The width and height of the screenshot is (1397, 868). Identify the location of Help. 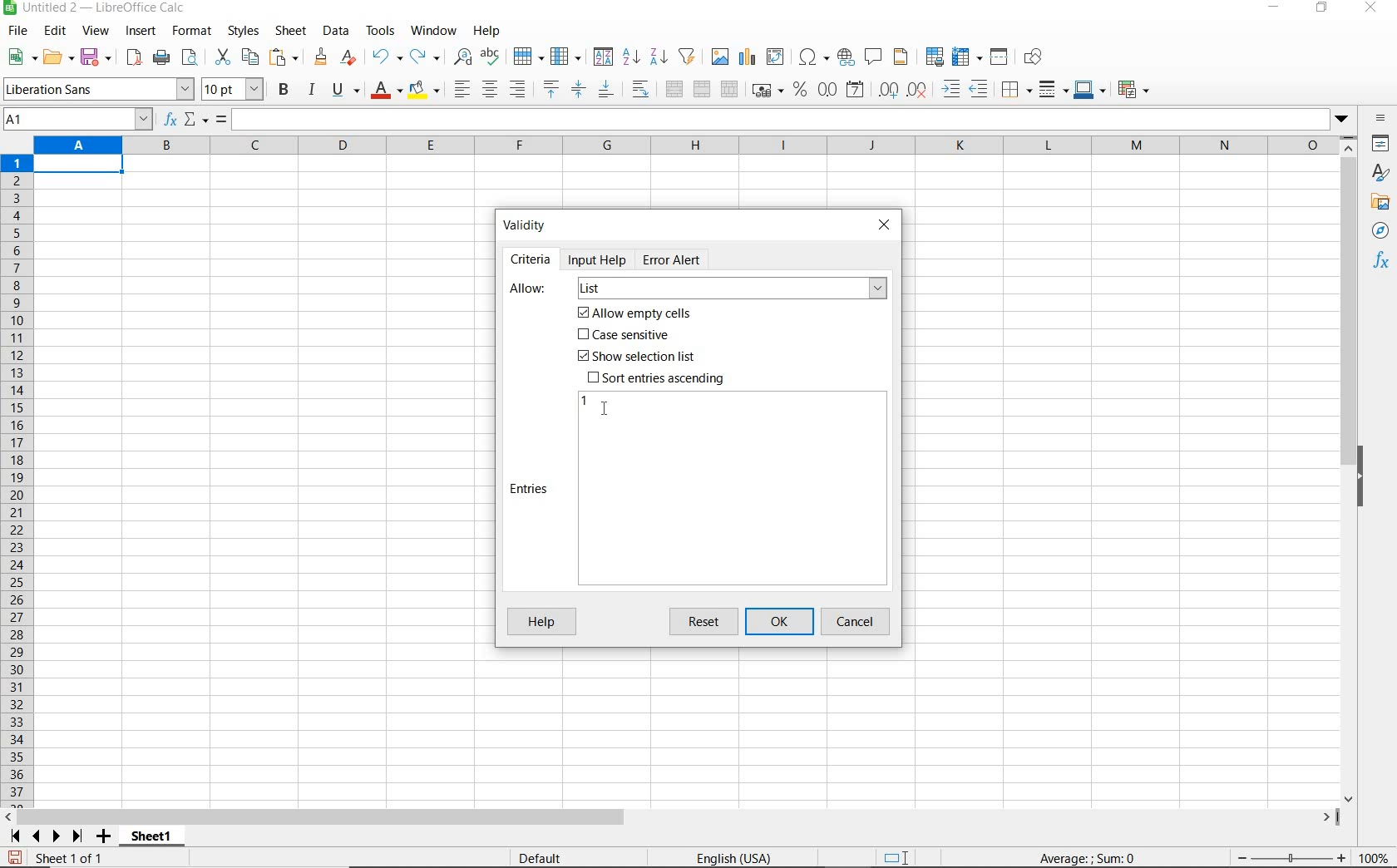
(540, 623).